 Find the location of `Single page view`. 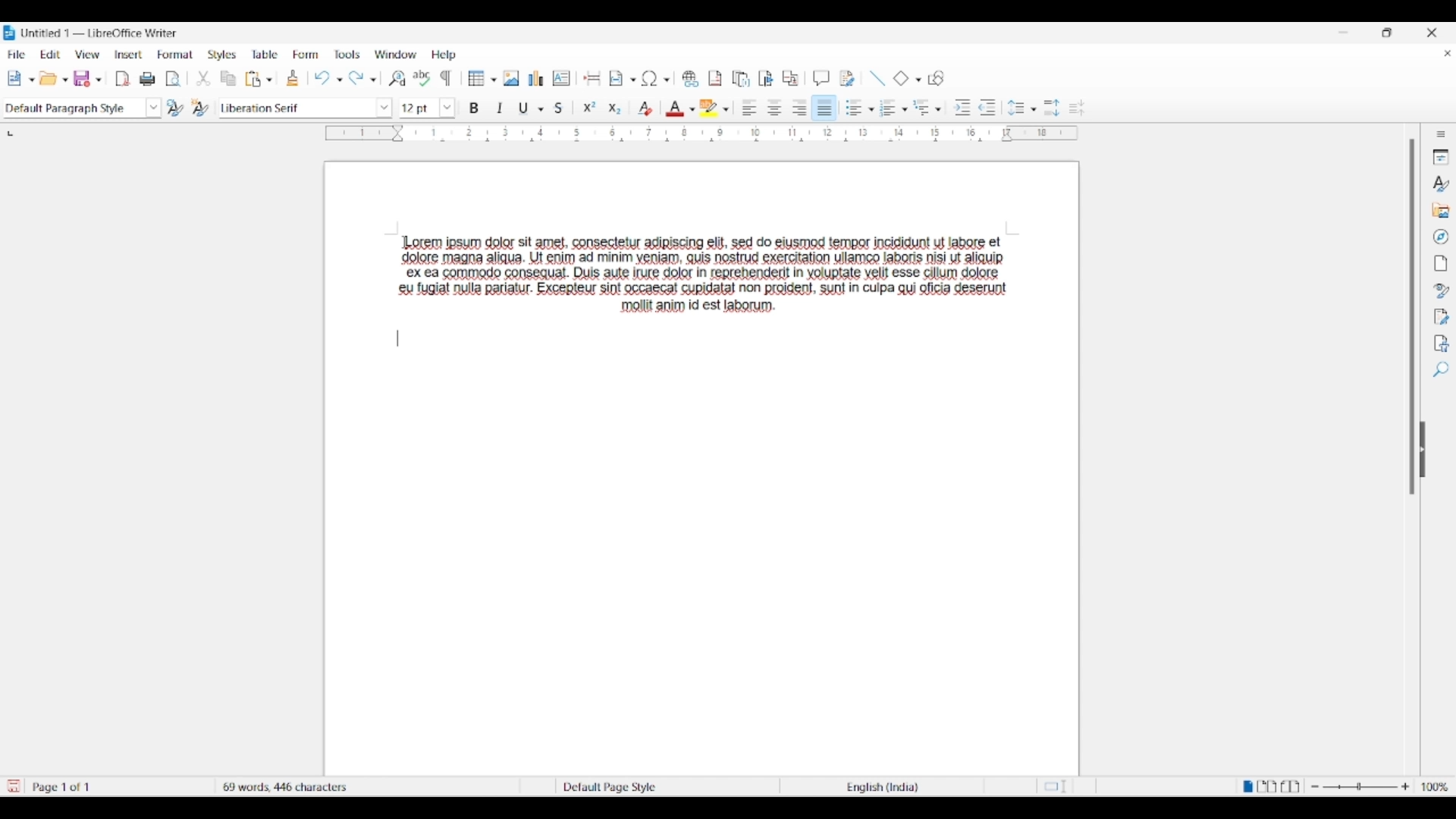

Single page view is located at coordinates (1246, 786).